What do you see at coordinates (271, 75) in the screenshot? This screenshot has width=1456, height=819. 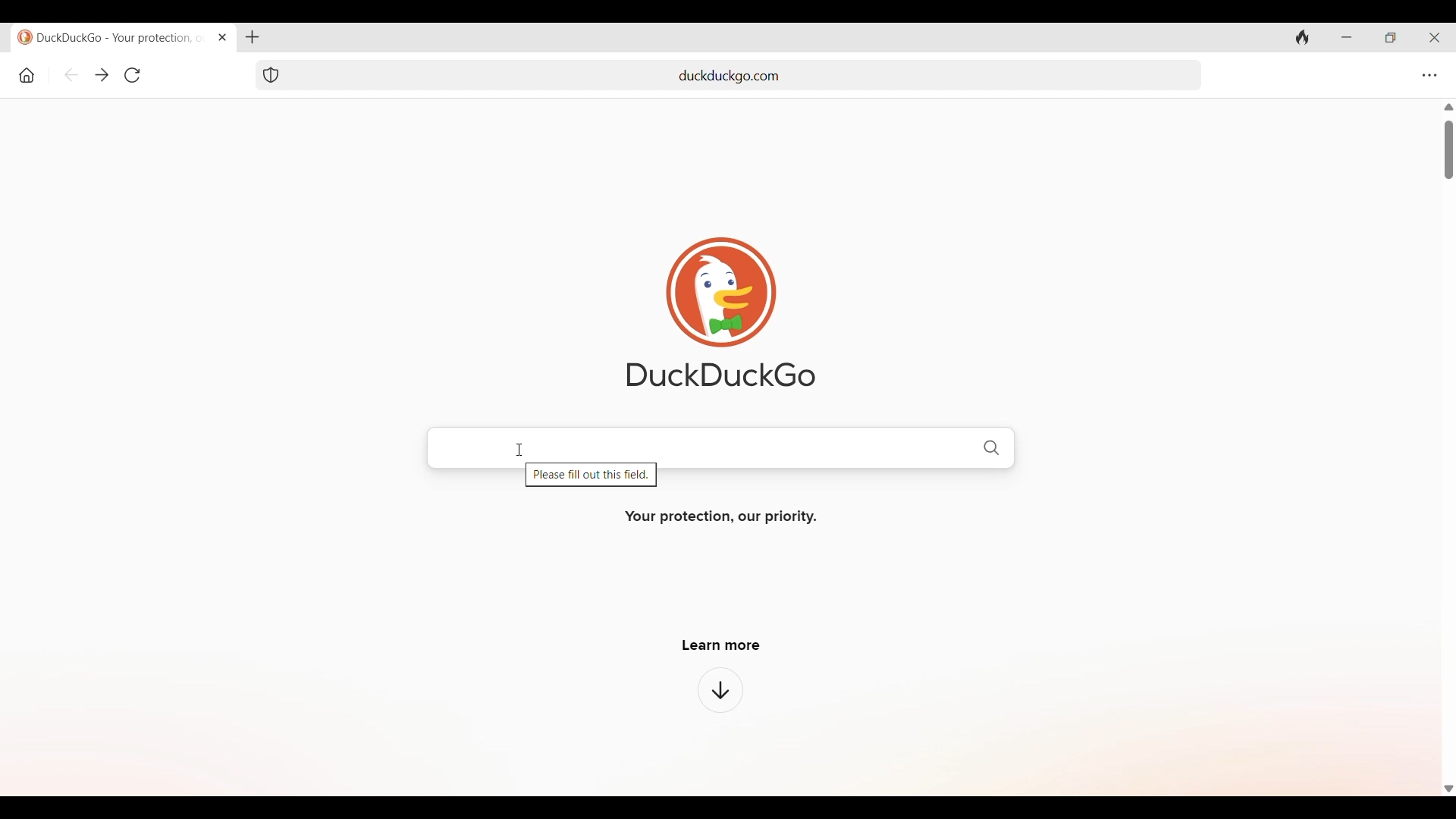 I see `Browser protection` at bounding box center [271, 75].